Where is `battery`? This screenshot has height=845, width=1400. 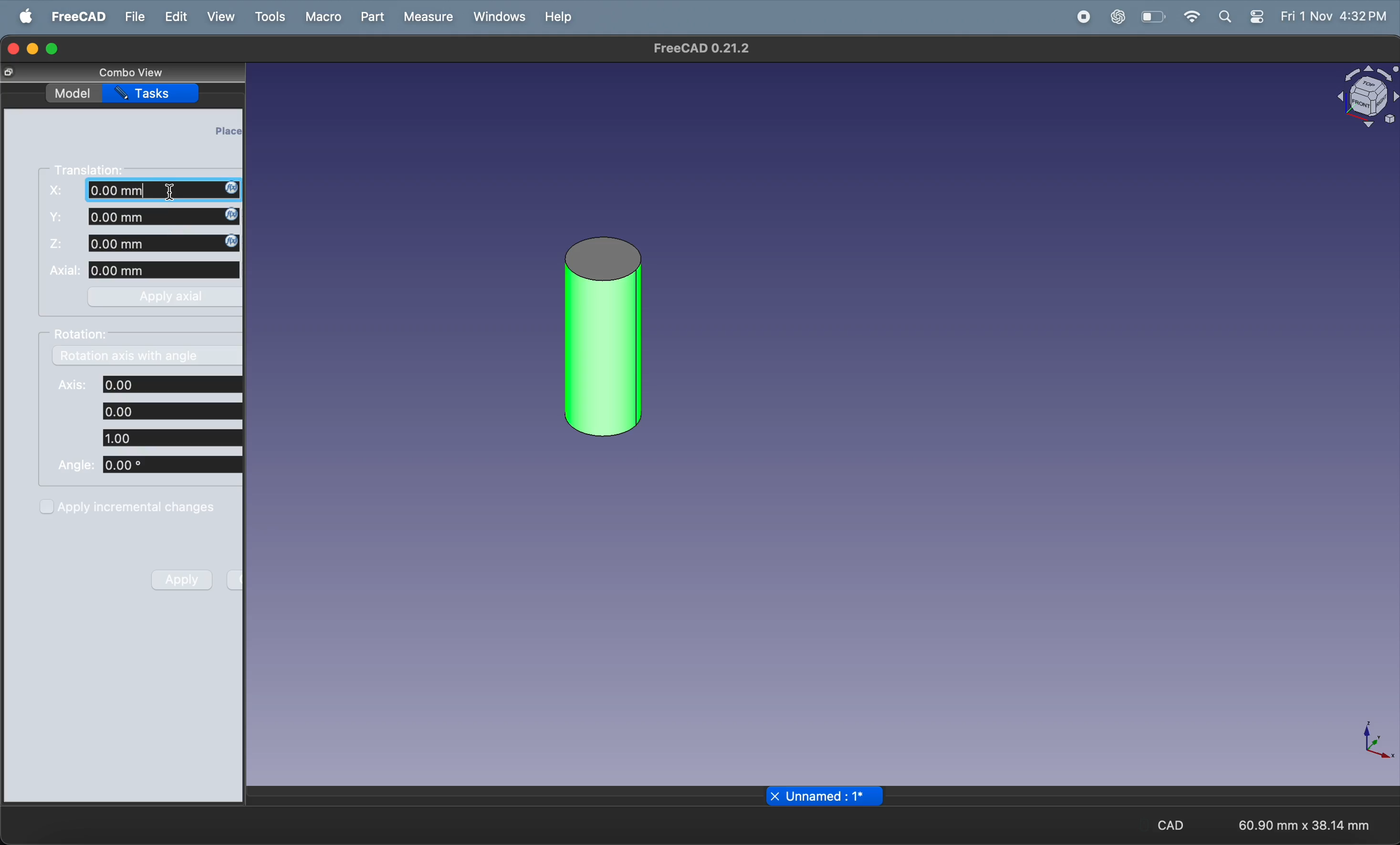 battery is located at coordinates (1152, 18).